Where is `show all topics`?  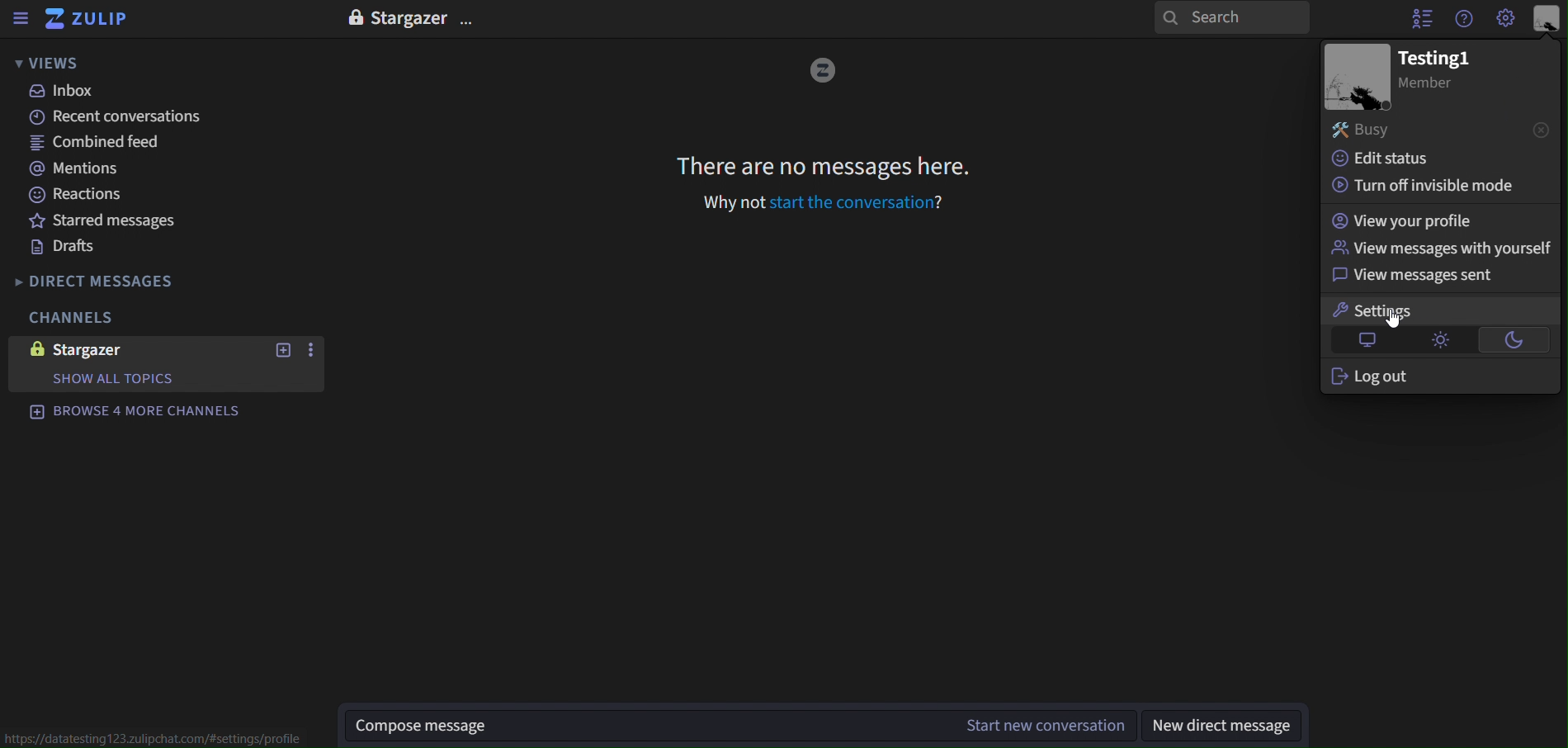
show all topics is located at coordinates (130, 378).